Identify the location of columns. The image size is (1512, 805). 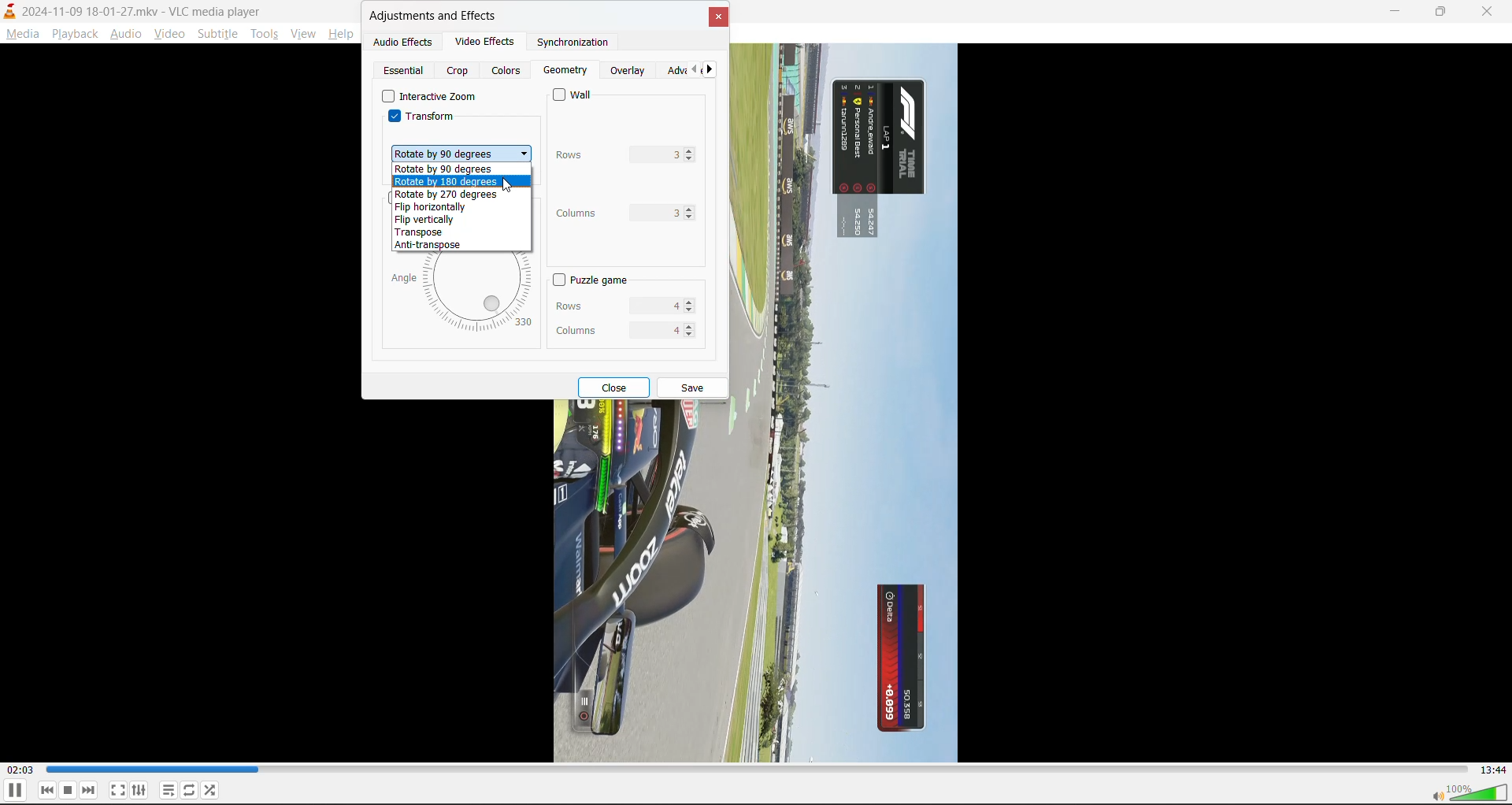
(611, 328).